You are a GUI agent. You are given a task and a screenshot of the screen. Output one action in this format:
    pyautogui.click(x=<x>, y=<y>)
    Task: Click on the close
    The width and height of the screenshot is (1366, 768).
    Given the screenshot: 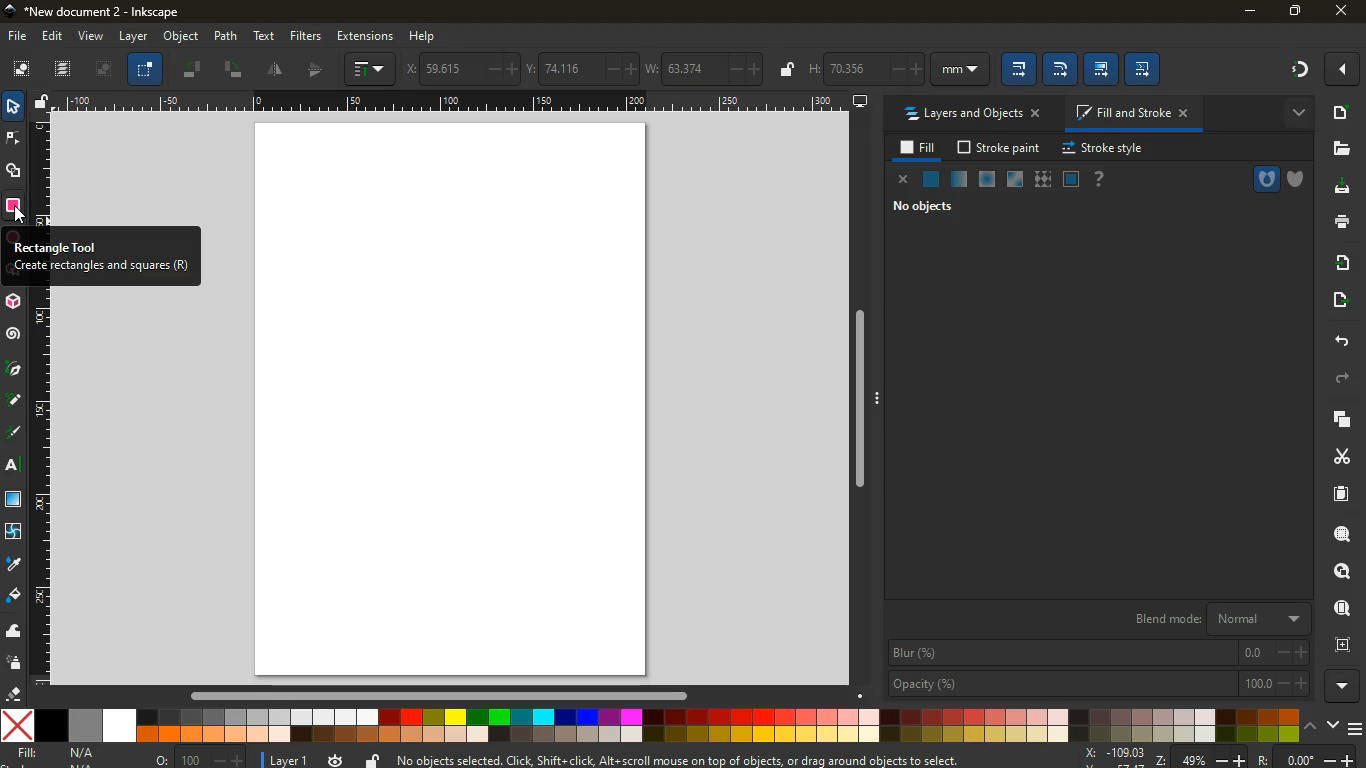 What is the action you would take?
    pyautogui.click(x=905, y=181)
    